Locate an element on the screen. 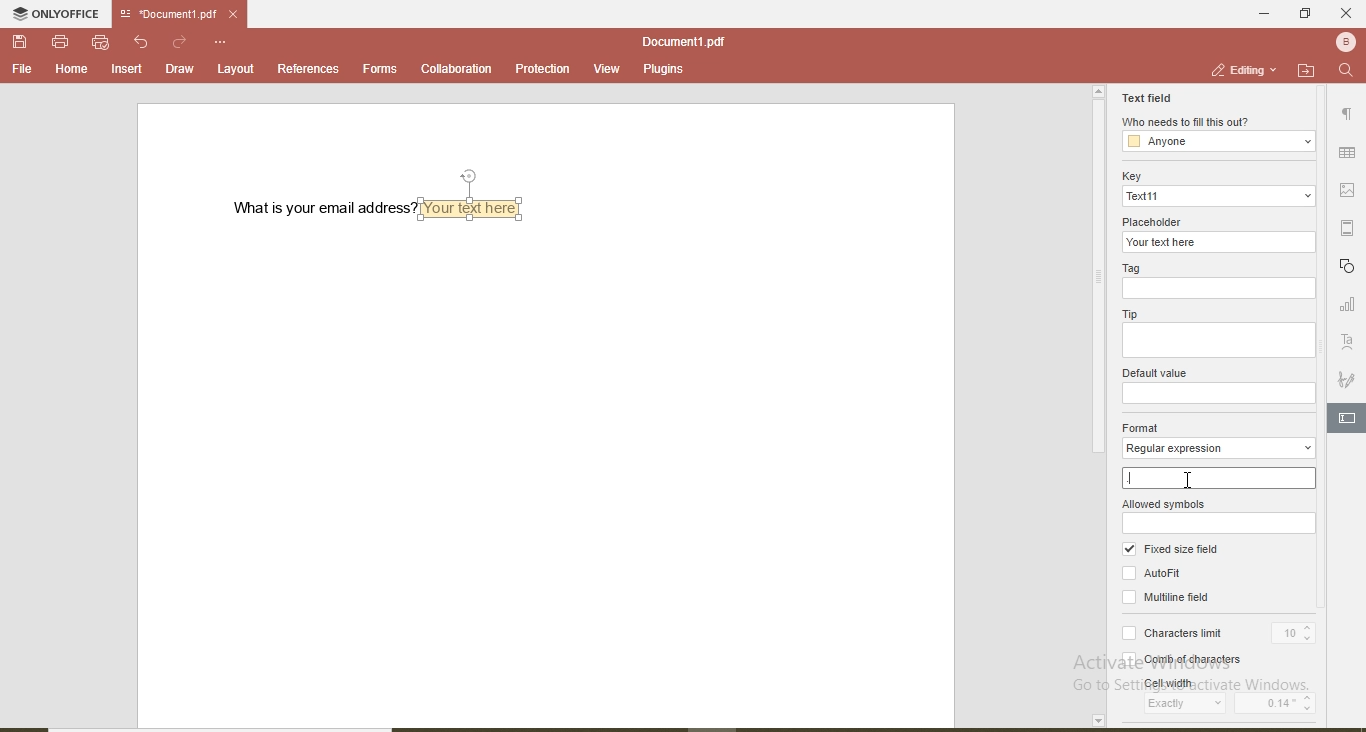  references is located at coordinates (308, 68).